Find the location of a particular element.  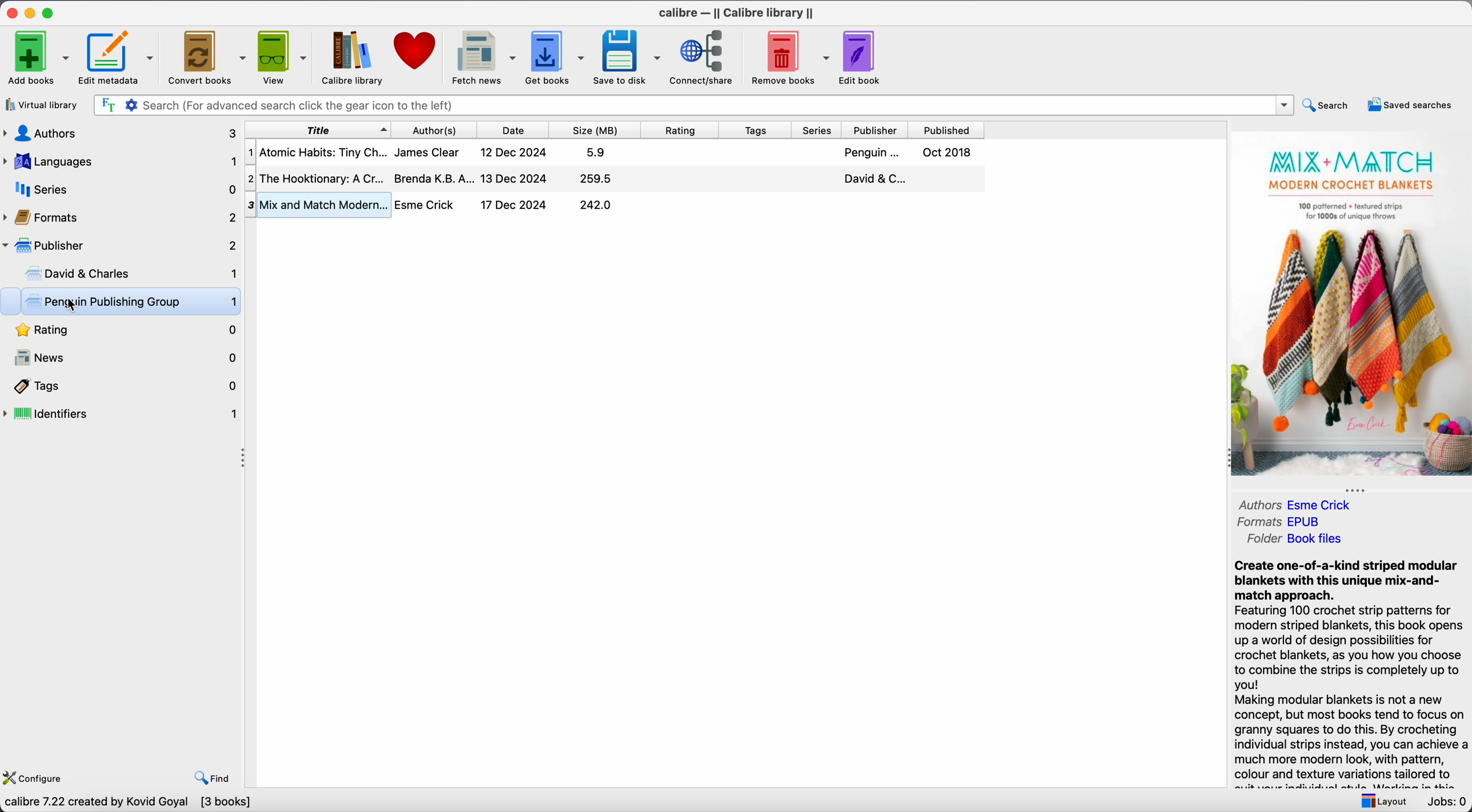

Atomic Habits is located at coordinates (615, 151).